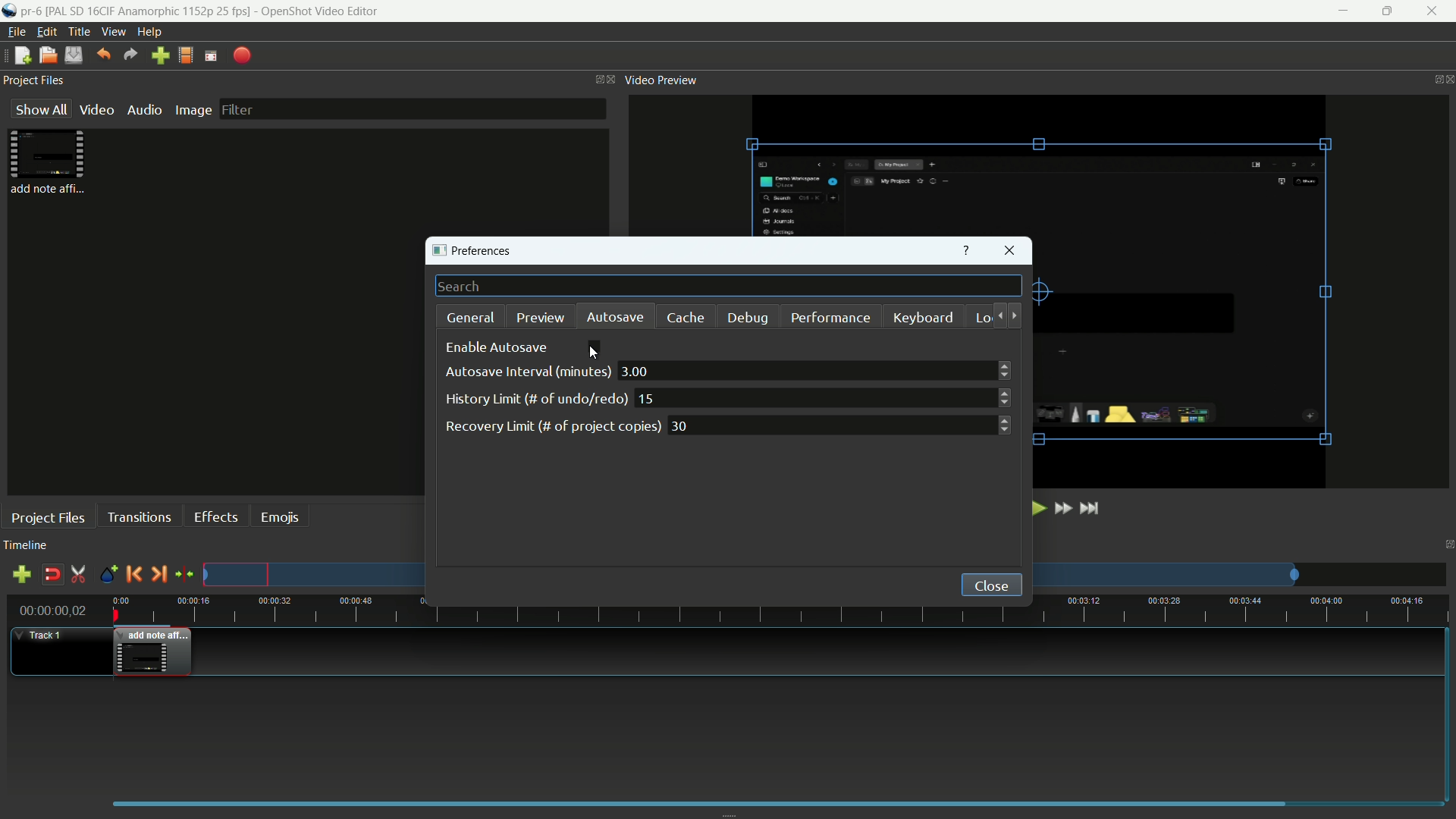  Describe the element at coordinates (152, 652) in the screenshot. I see `video in timeline` at that location.